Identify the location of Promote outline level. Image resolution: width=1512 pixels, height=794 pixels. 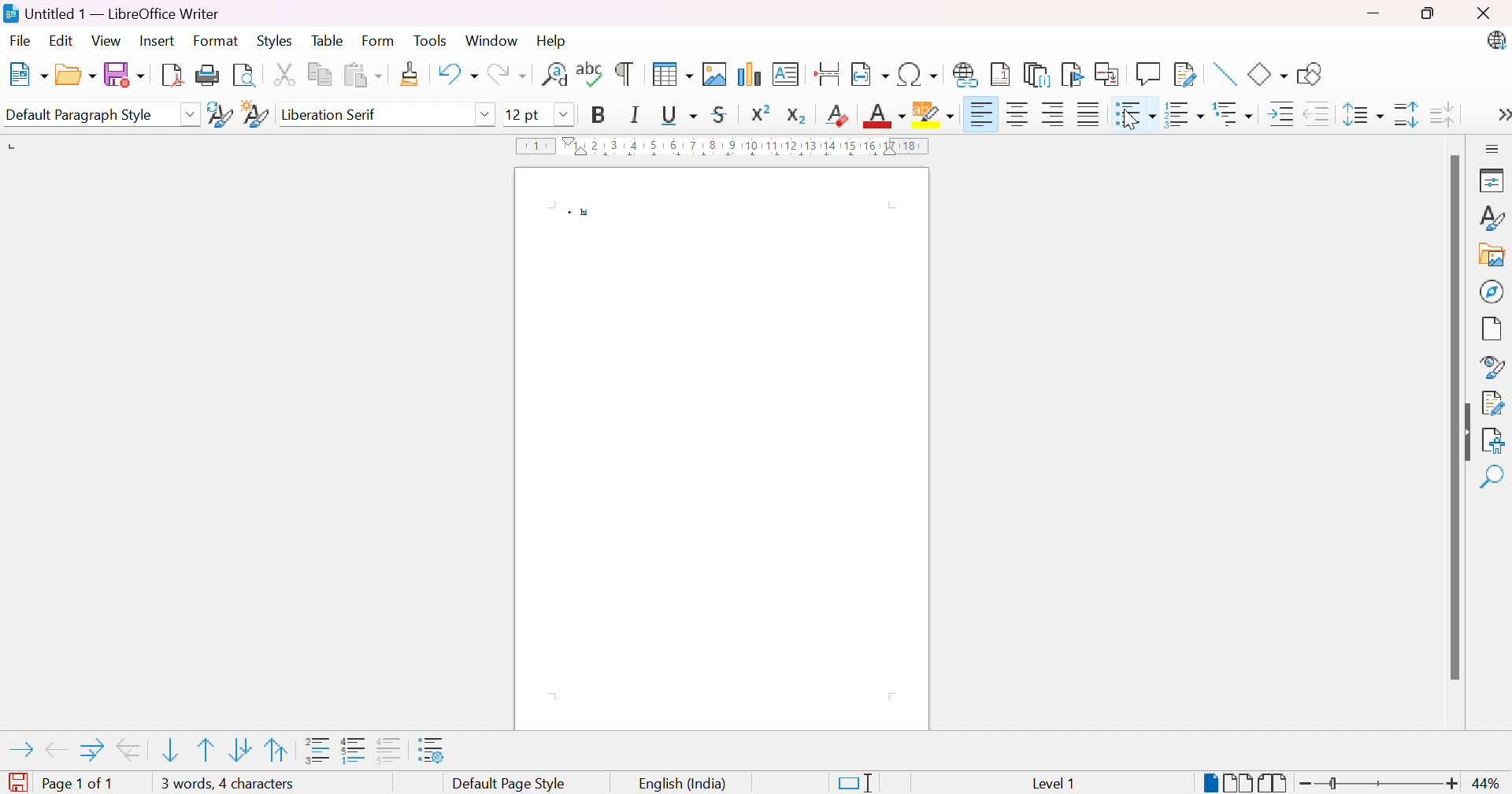
(55, 749).